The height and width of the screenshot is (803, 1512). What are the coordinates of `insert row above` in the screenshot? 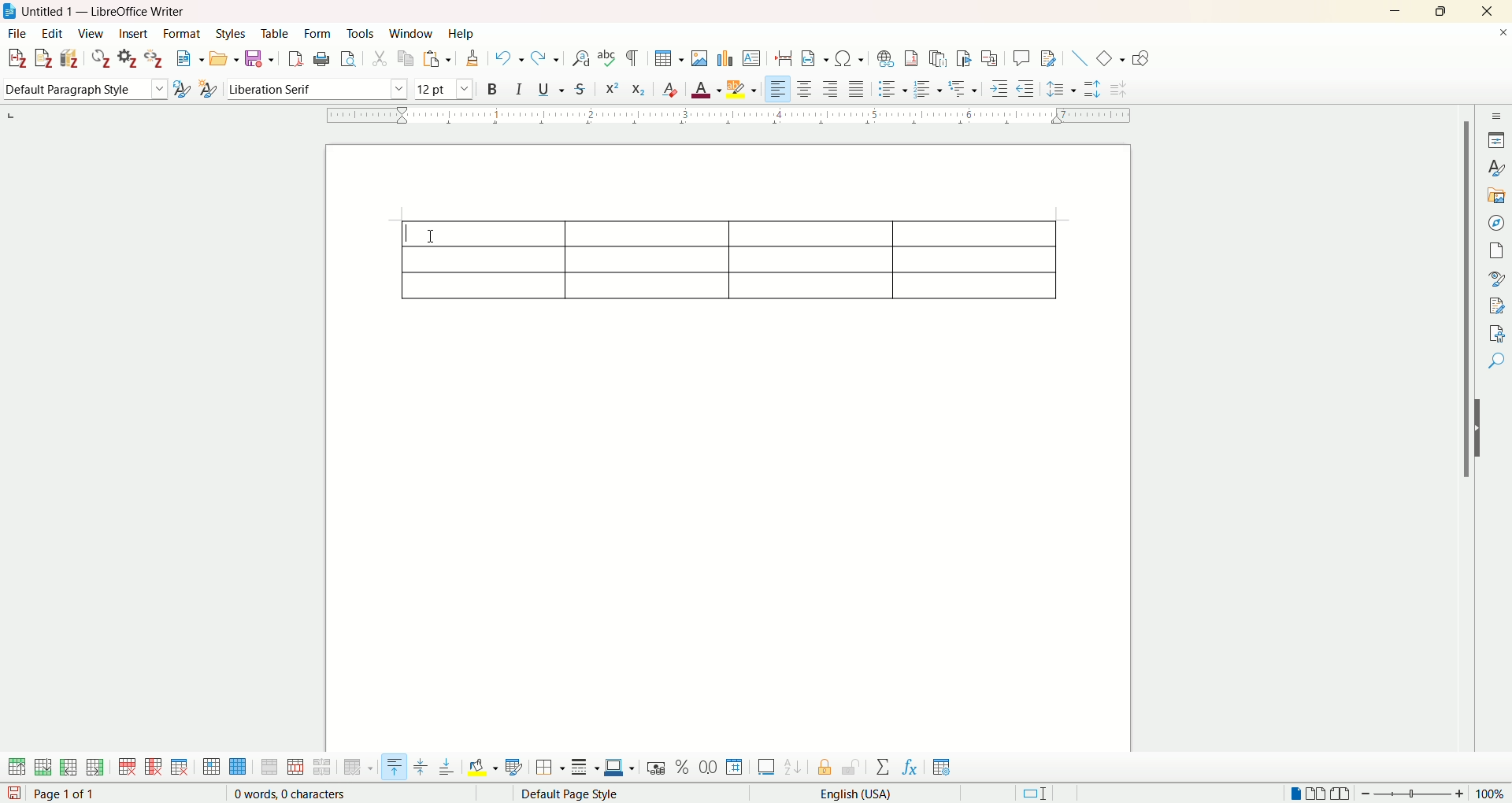 It's located at (17, 764).